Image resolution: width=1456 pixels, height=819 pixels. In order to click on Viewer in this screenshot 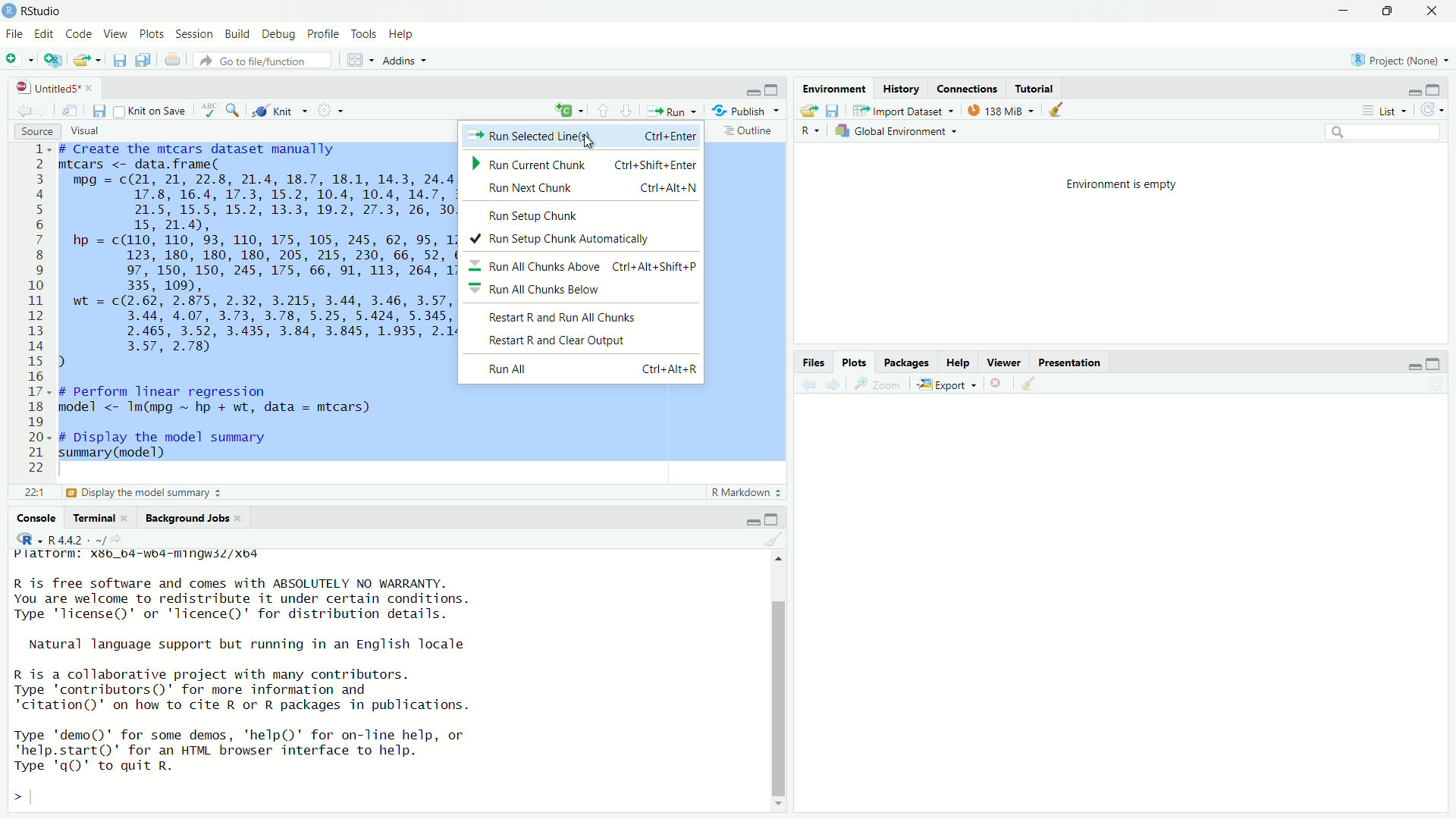, I will do `click(1007, 363)`.